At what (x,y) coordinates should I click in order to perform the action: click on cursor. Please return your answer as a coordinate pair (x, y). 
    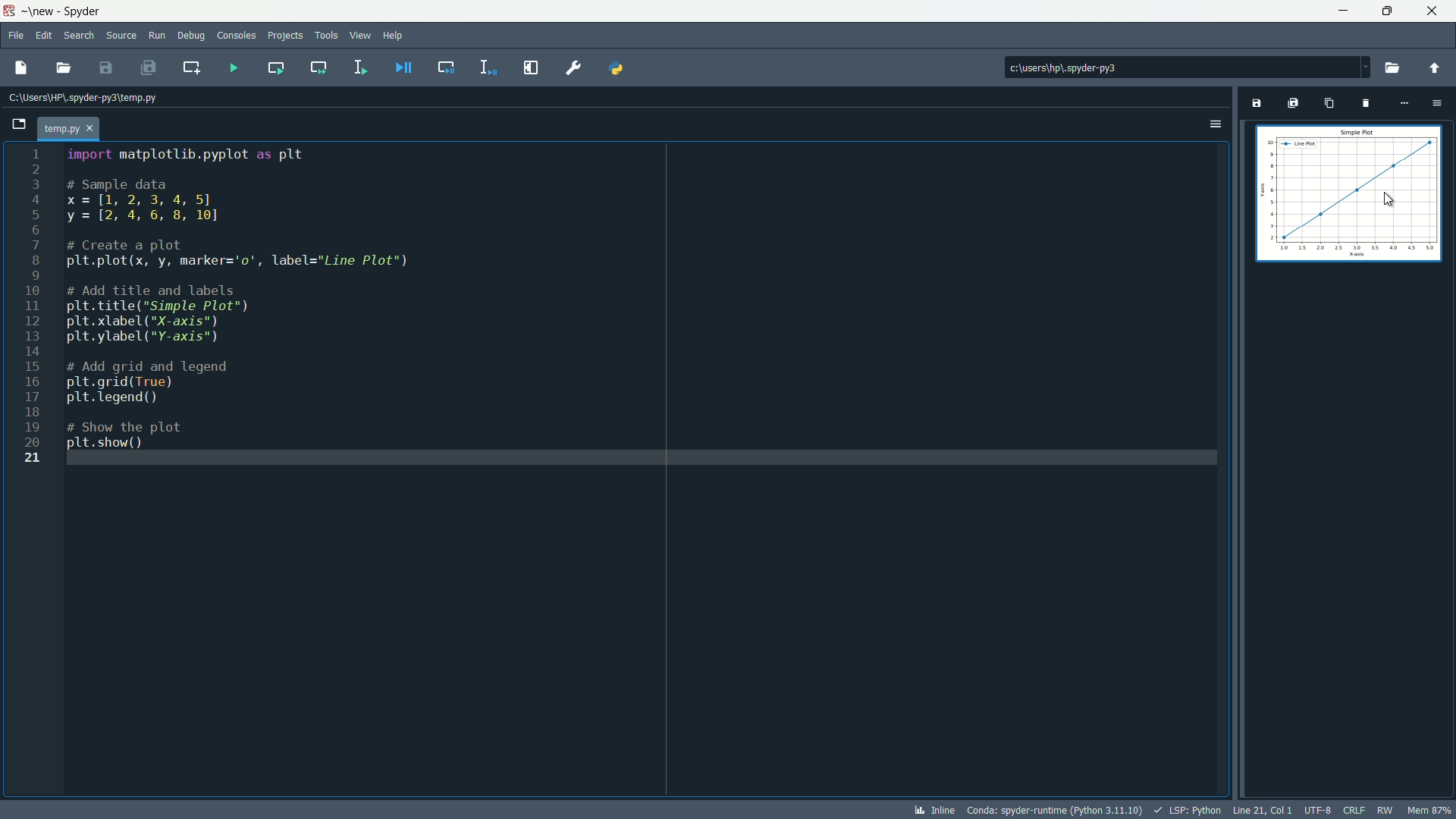
    Looking at the image, I should click on (1389, 198).